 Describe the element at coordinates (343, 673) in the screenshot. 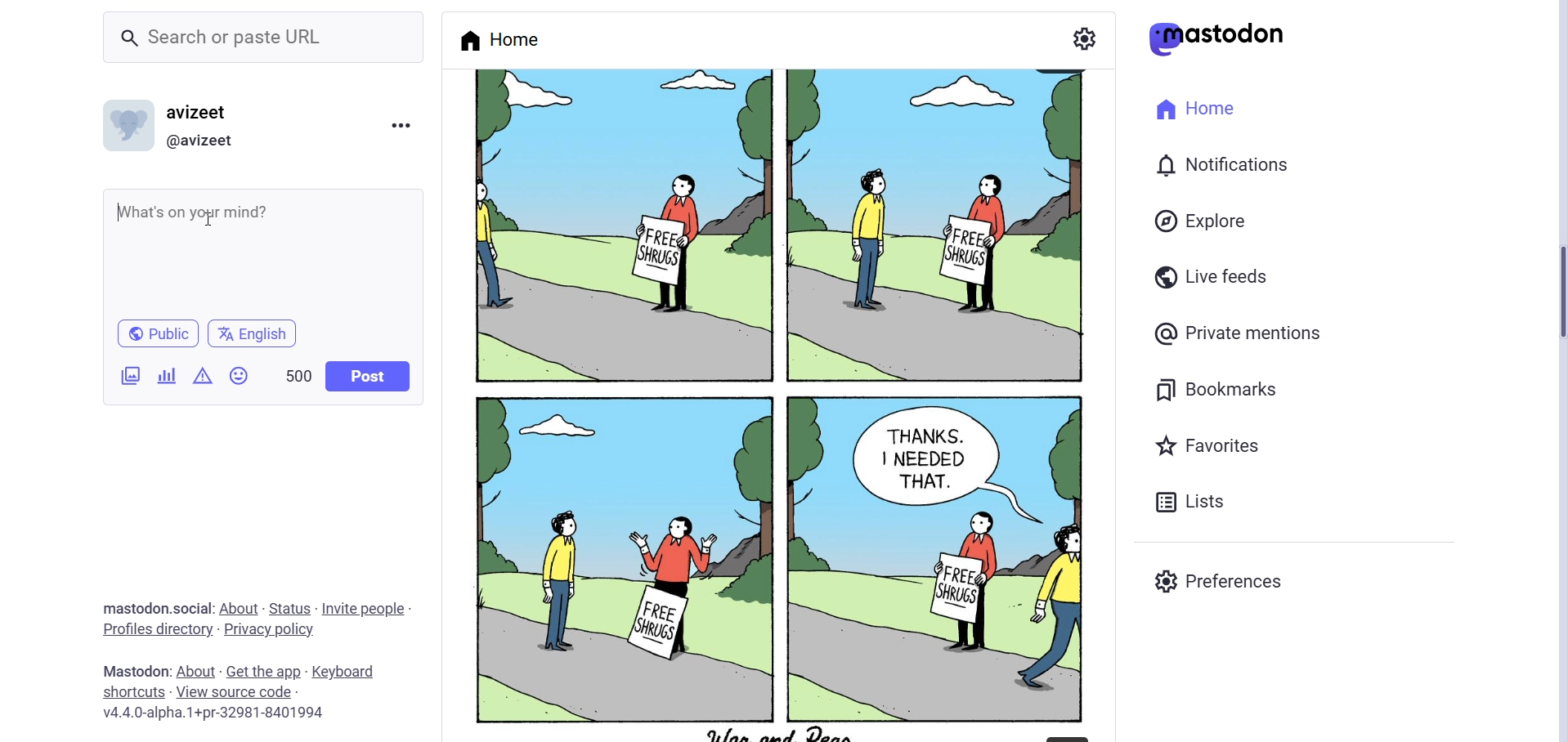

I see `Keyboard` at that location.